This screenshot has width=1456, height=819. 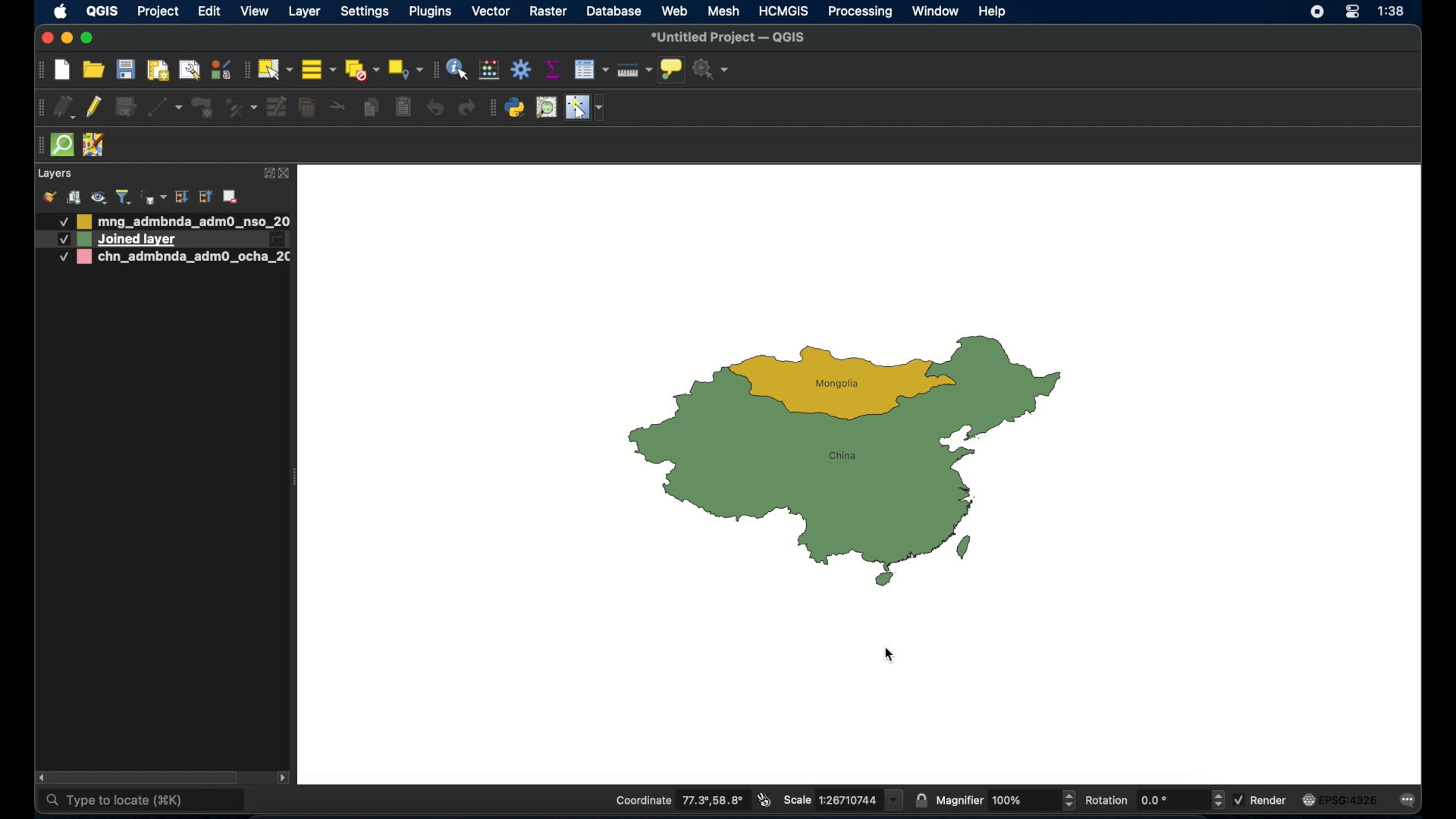 What do you see at coordinates (338, 106) in the screenshot?
I see `cut features` at bounding box center [338, 106].